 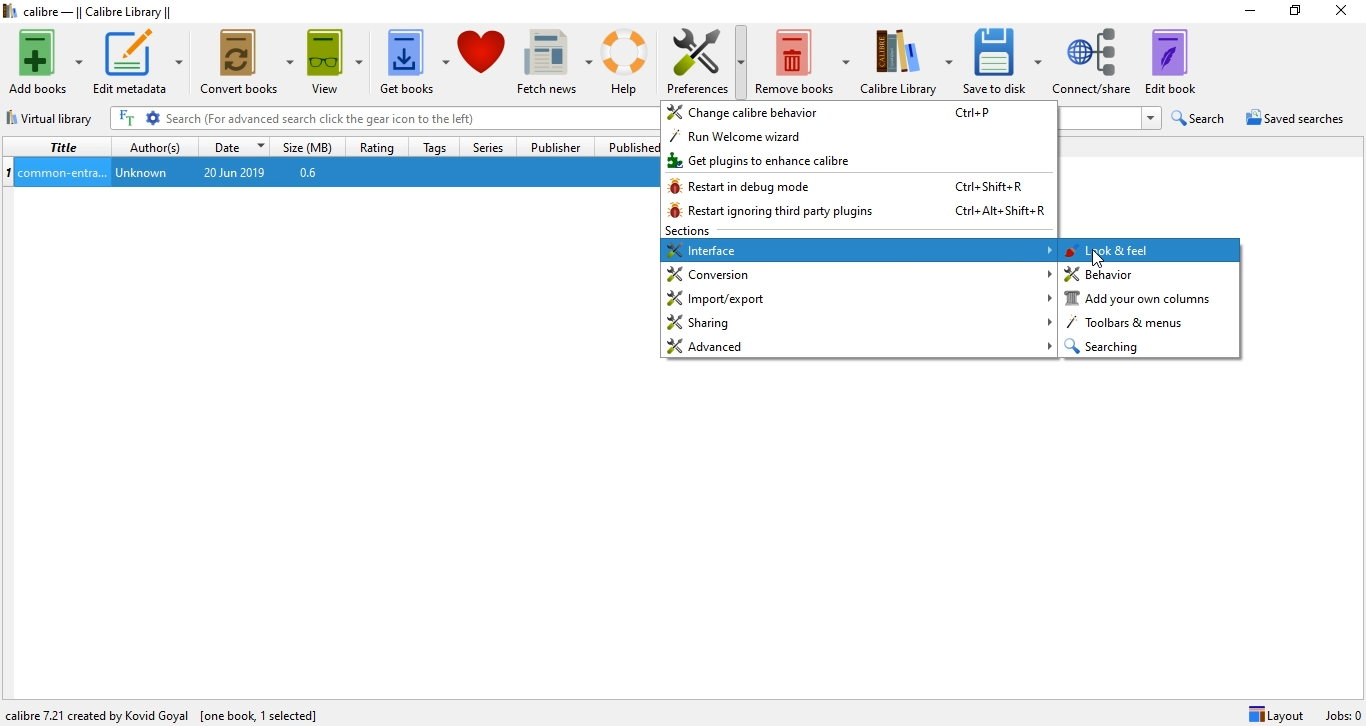 What do you see at coordinates (1298, 120) in the screenshot?
I see `Saves searches` at bounding box center [1298, 120].